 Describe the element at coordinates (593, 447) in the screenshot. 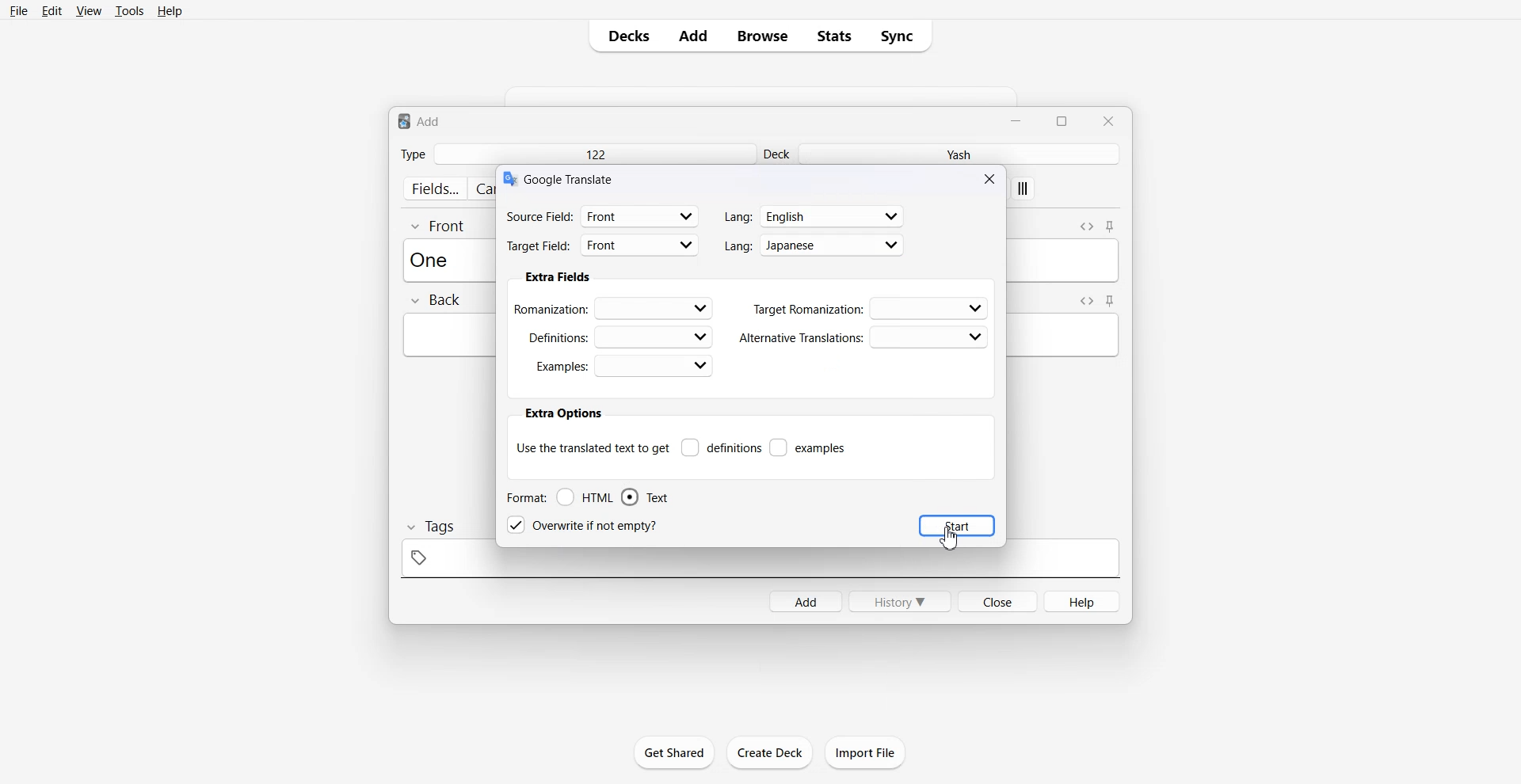

I see `Use the translate text to get` at that location.